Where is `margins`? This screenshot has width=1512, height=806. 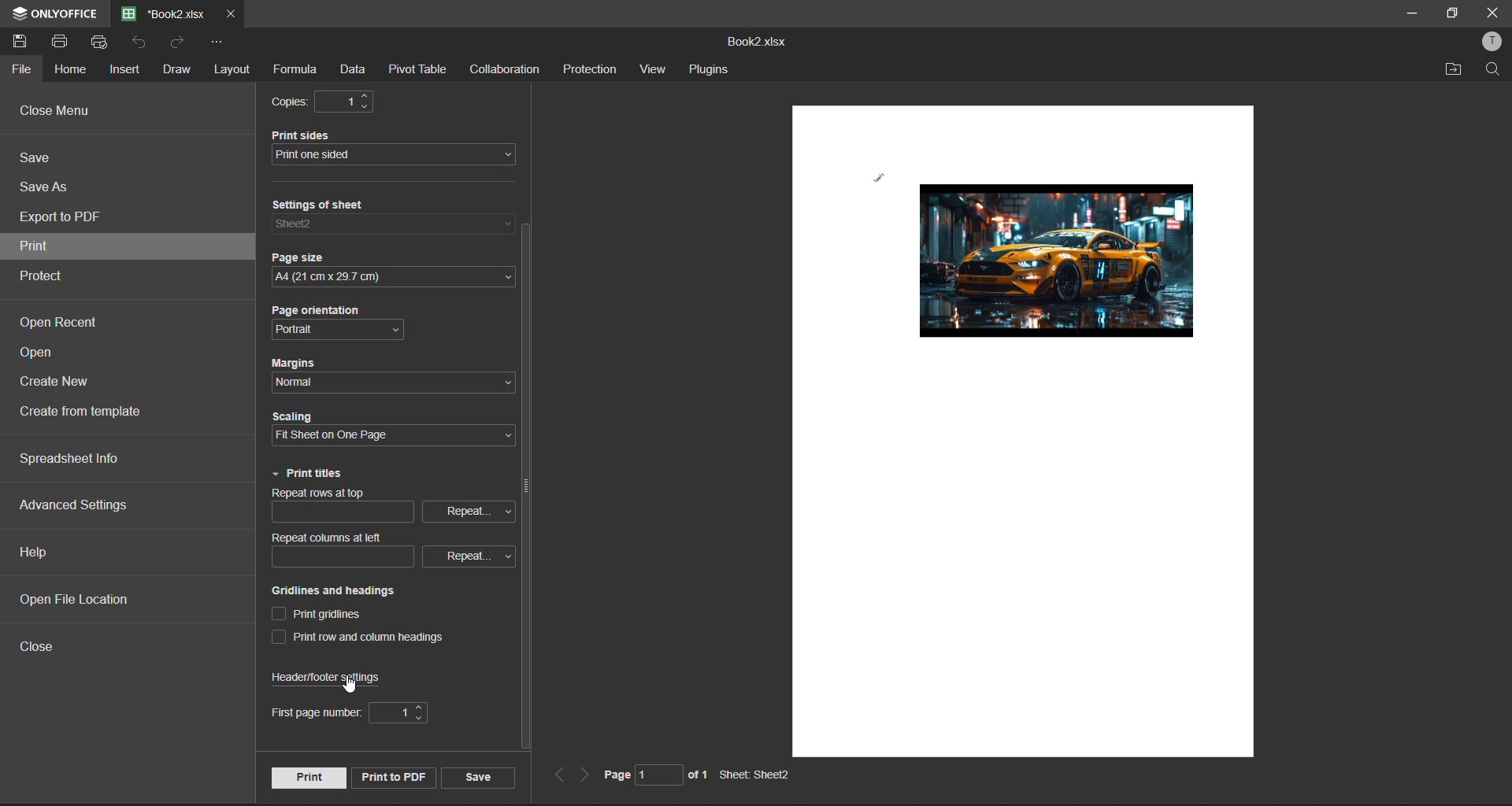
margins is located at coordinates (381, 371).